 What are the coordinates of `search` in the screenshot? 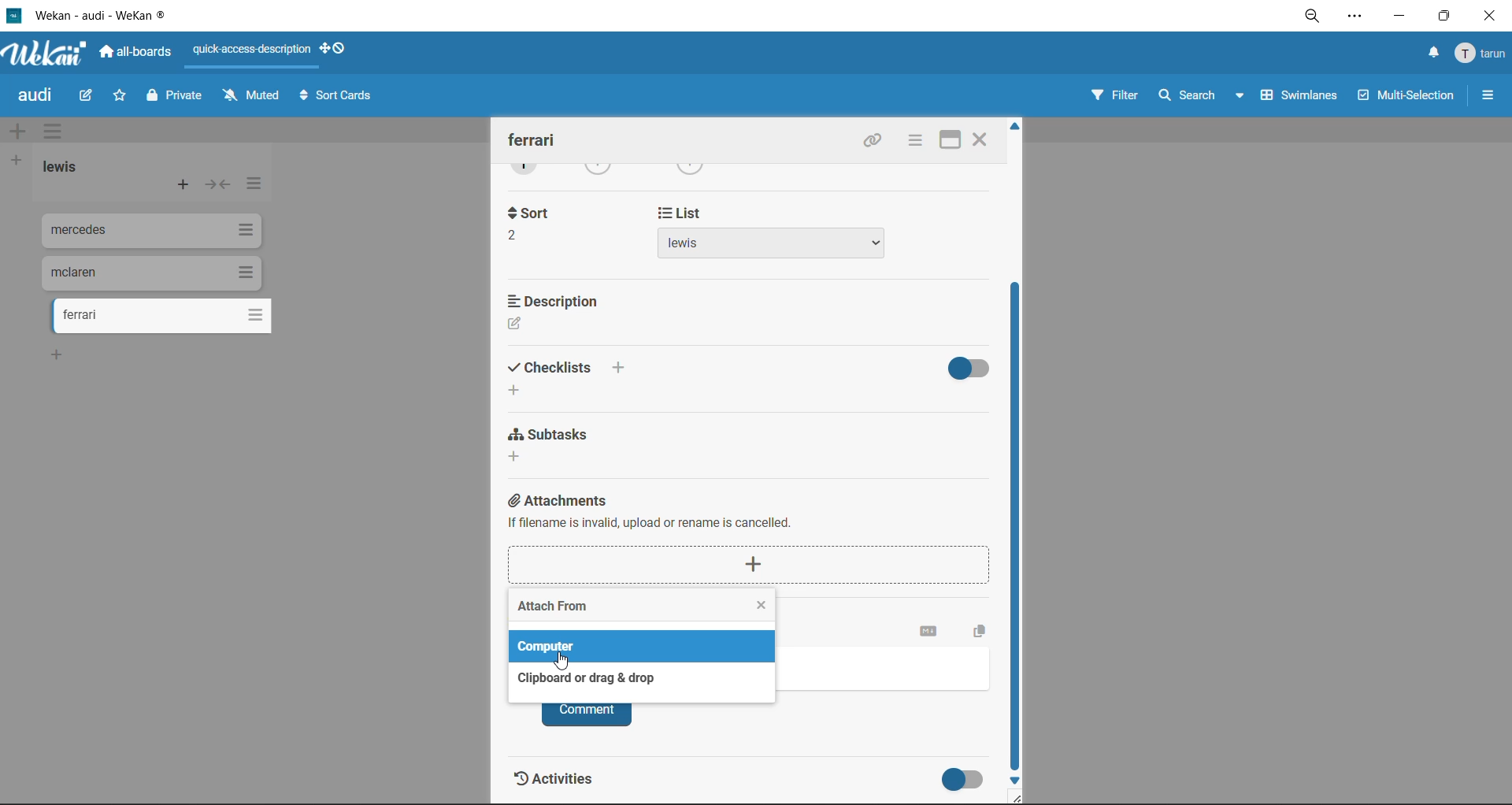 It's located at (1203, 95).